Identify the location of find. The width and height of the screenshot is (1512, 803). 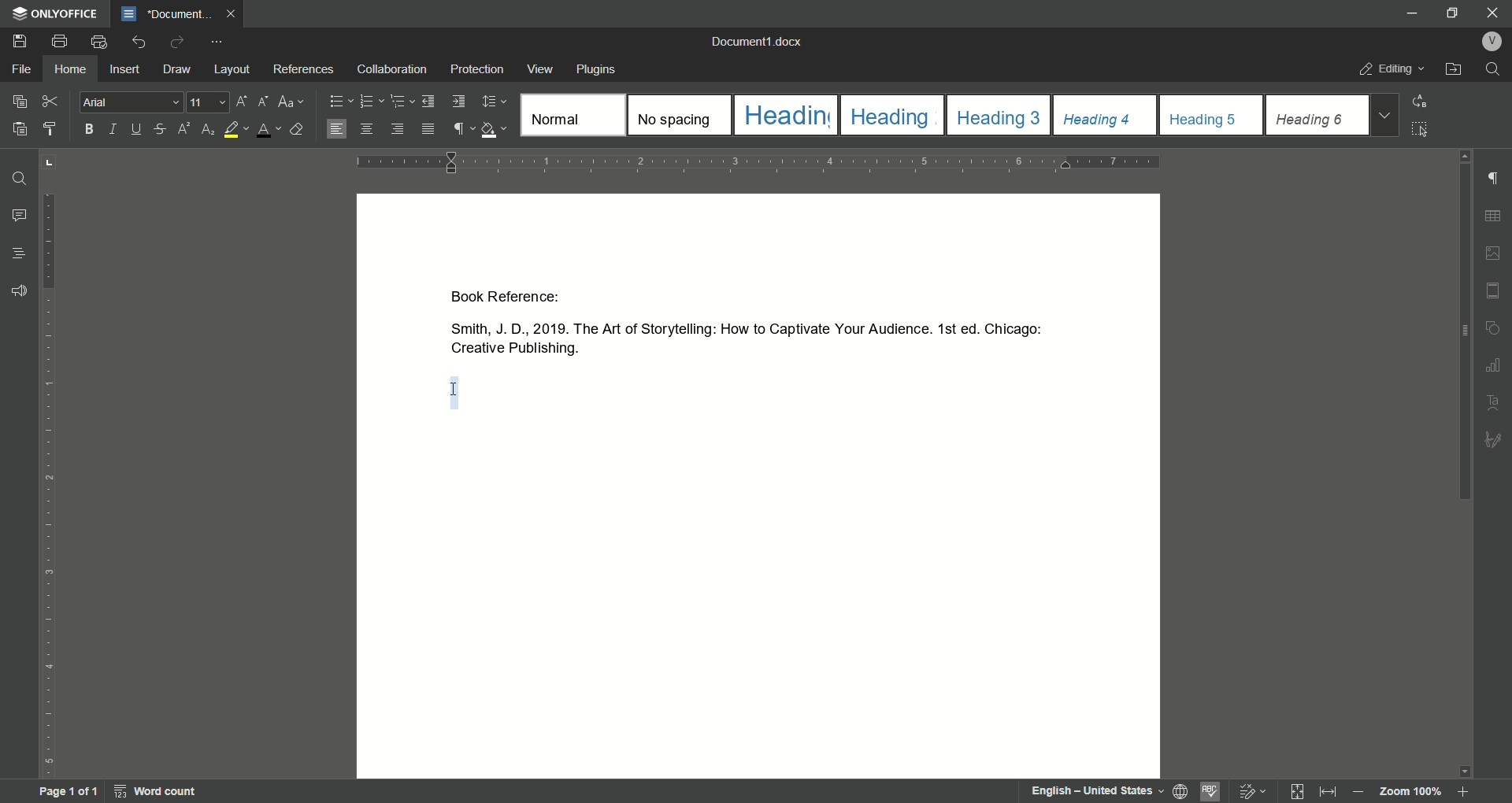
(20, 178).